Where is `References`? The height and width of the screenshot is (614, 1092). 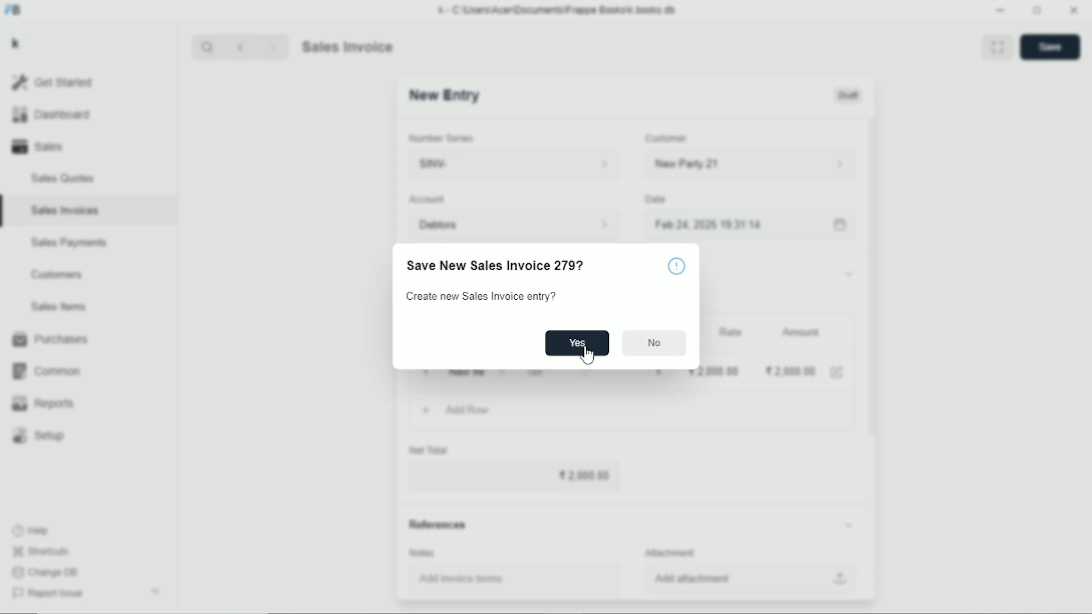
References is located at coordinates (631, 525).